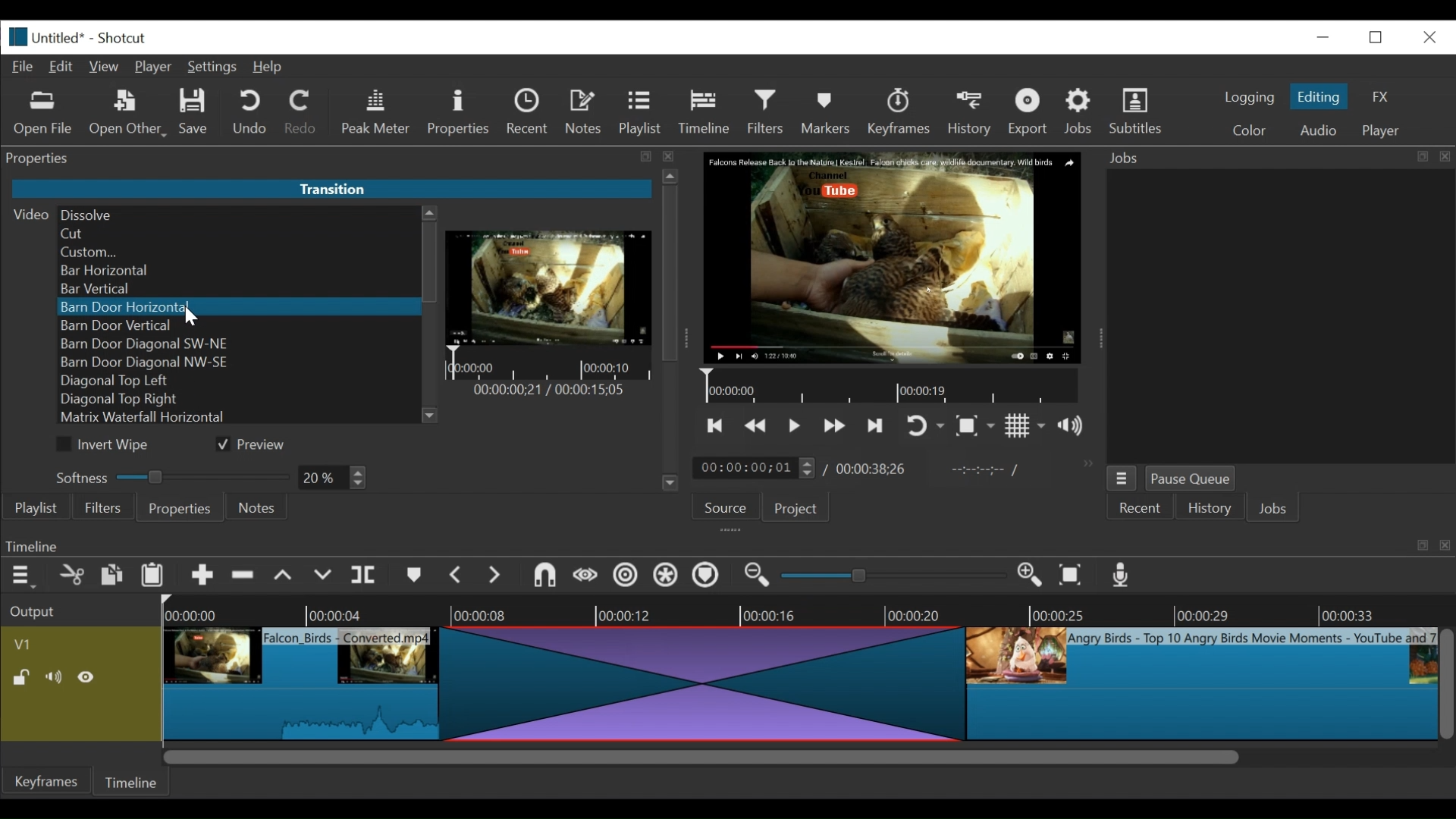 The width and height of the screenshot is (1456, 819). Describe the element at coordinates (900, 114) in the screenshot. I see `keyframes` at that location.